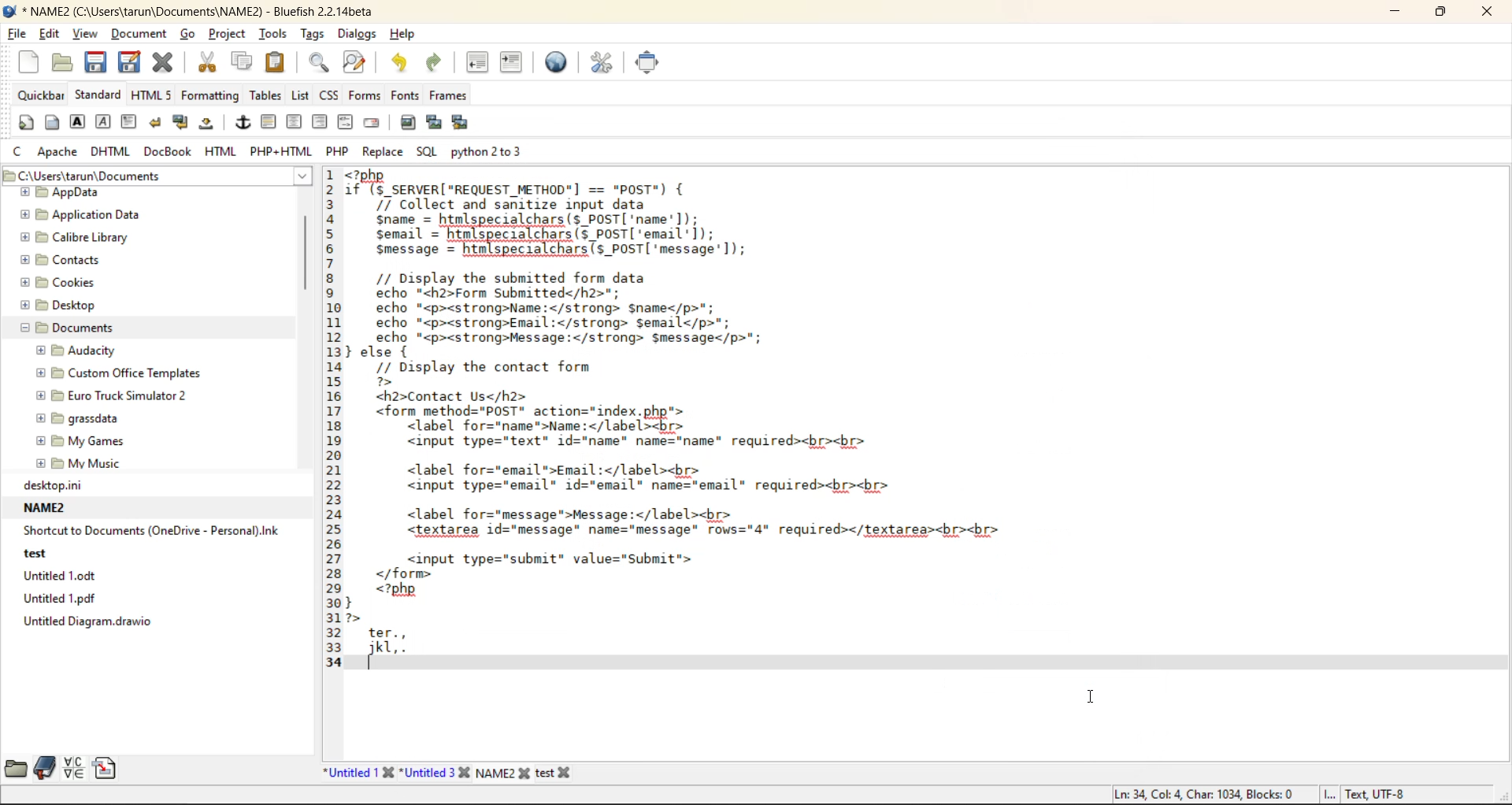  Describe the element at coordinates (409, 121) in the screenshot. I see `insert  image` at that location.